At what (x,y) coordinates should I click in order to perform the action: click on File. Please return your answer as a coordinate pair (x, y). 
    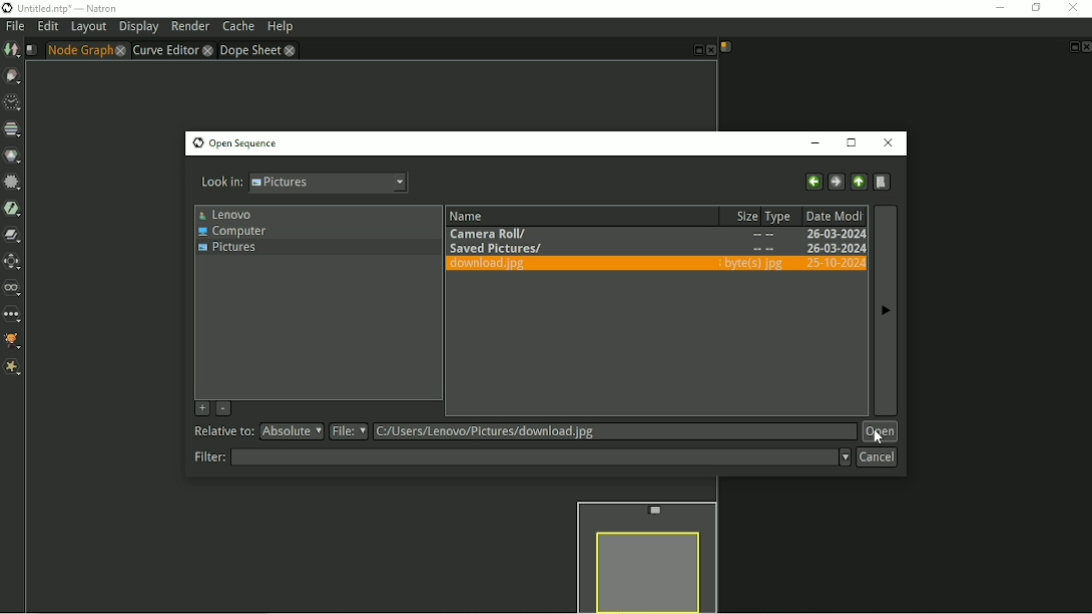
    Looking at the image, I should click on (14, 27).